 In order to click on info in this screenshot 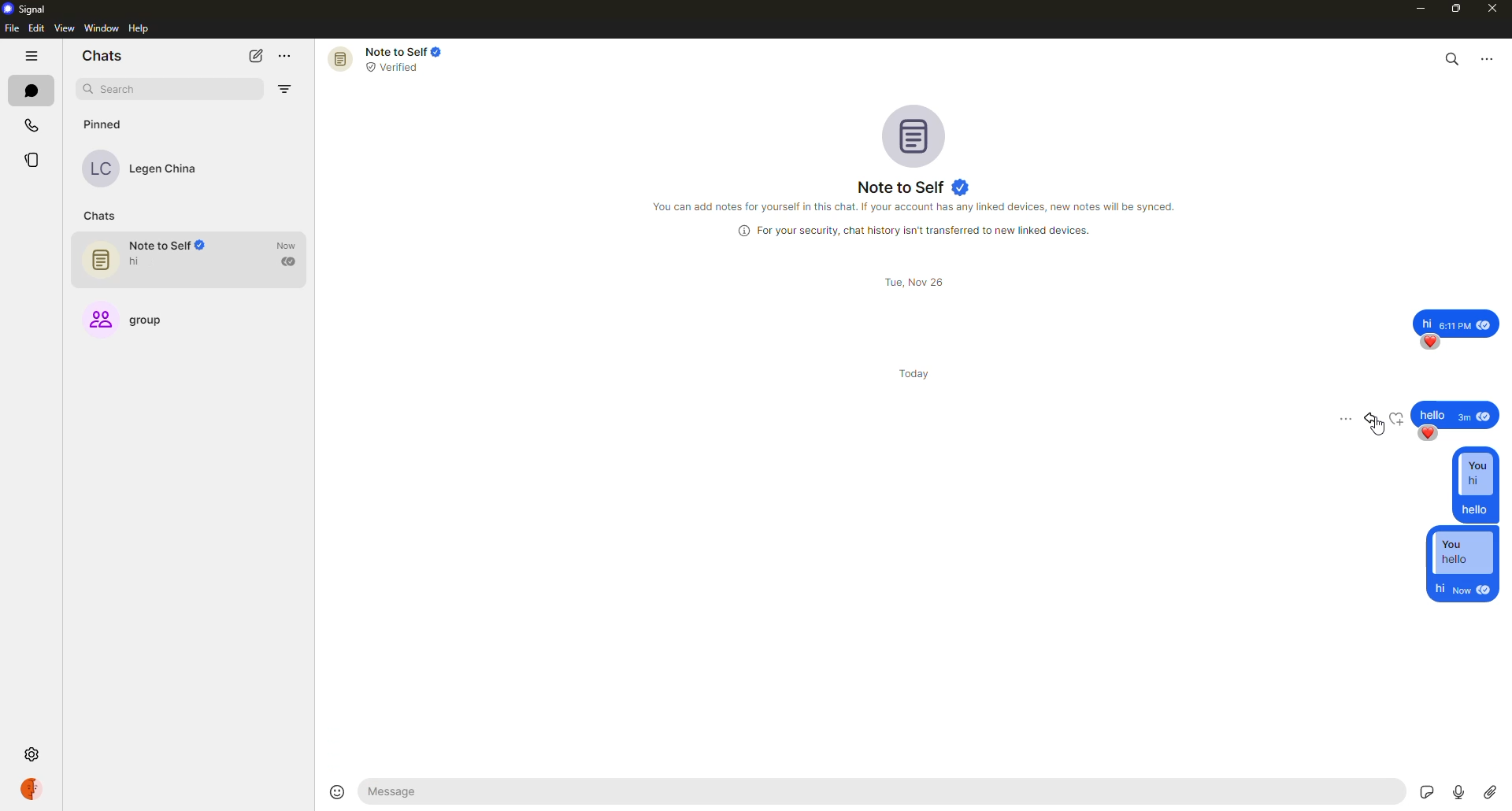, I will do `click(919, 207)`.